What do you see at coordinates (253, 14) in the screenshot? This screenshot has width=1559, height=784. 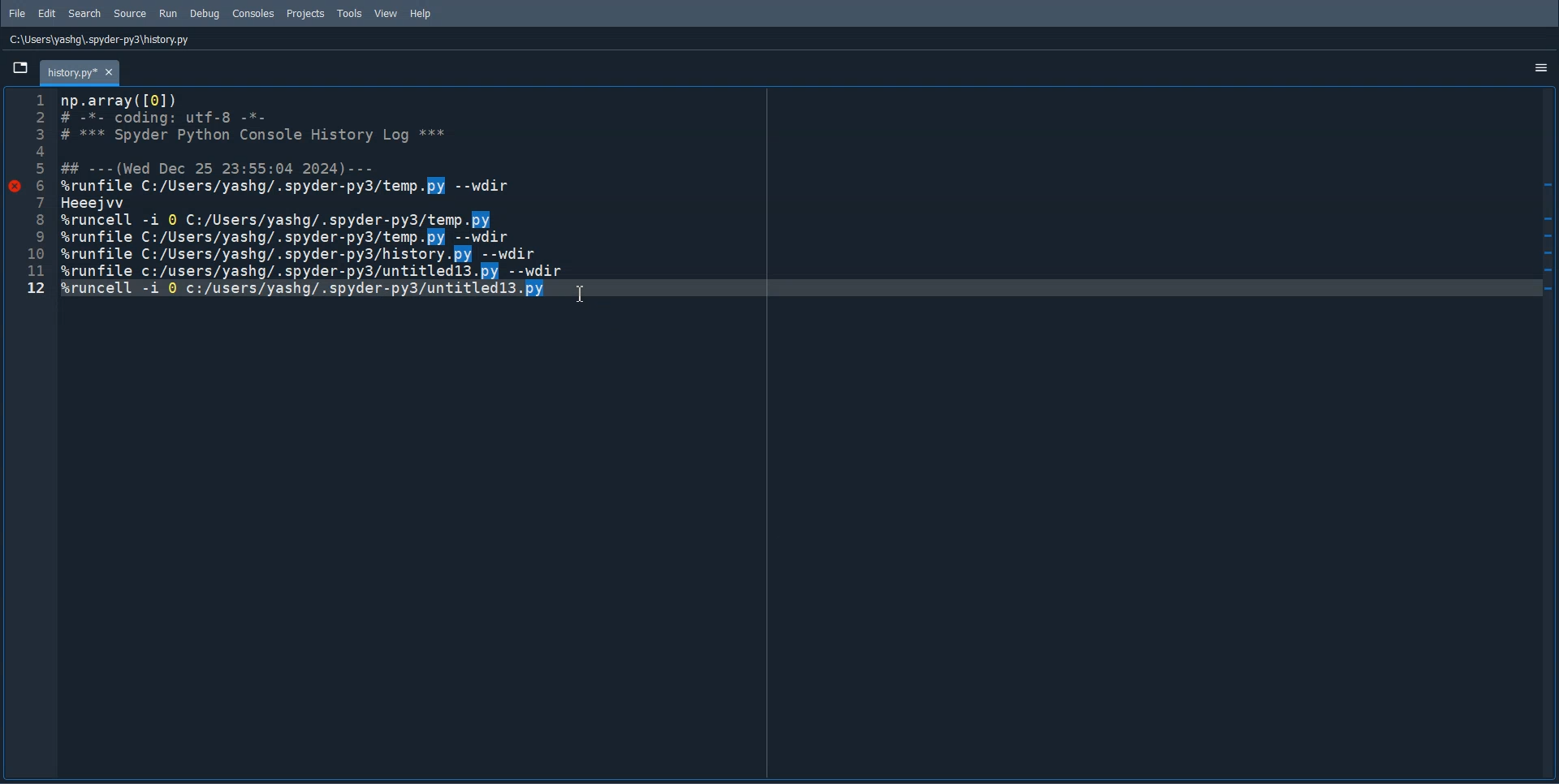 I see `Consoles` at bounding box center [253, 14].